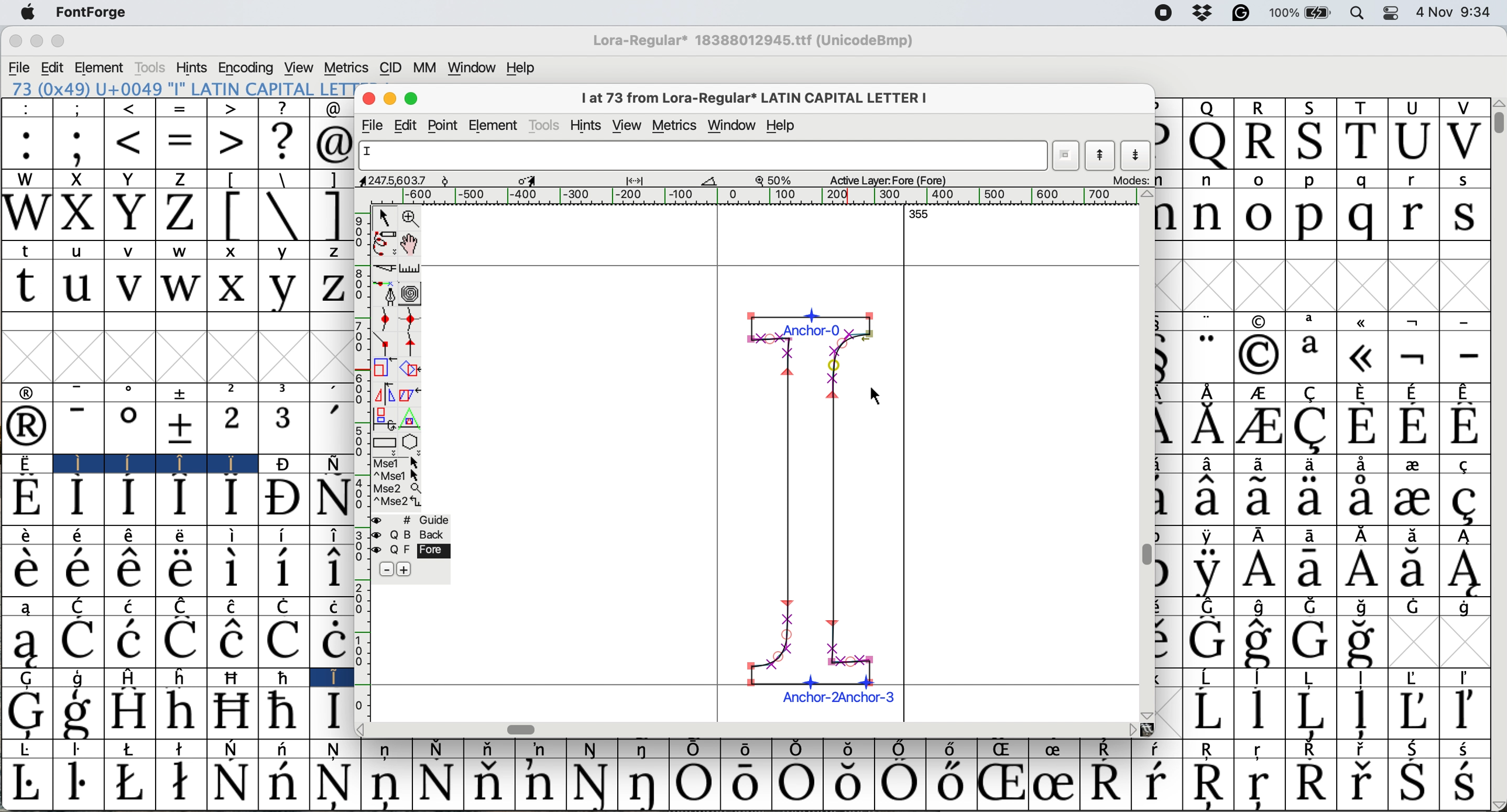  Describe the element at coordinates (701, 155) in the screenshot. I see `glyph name` at that location.